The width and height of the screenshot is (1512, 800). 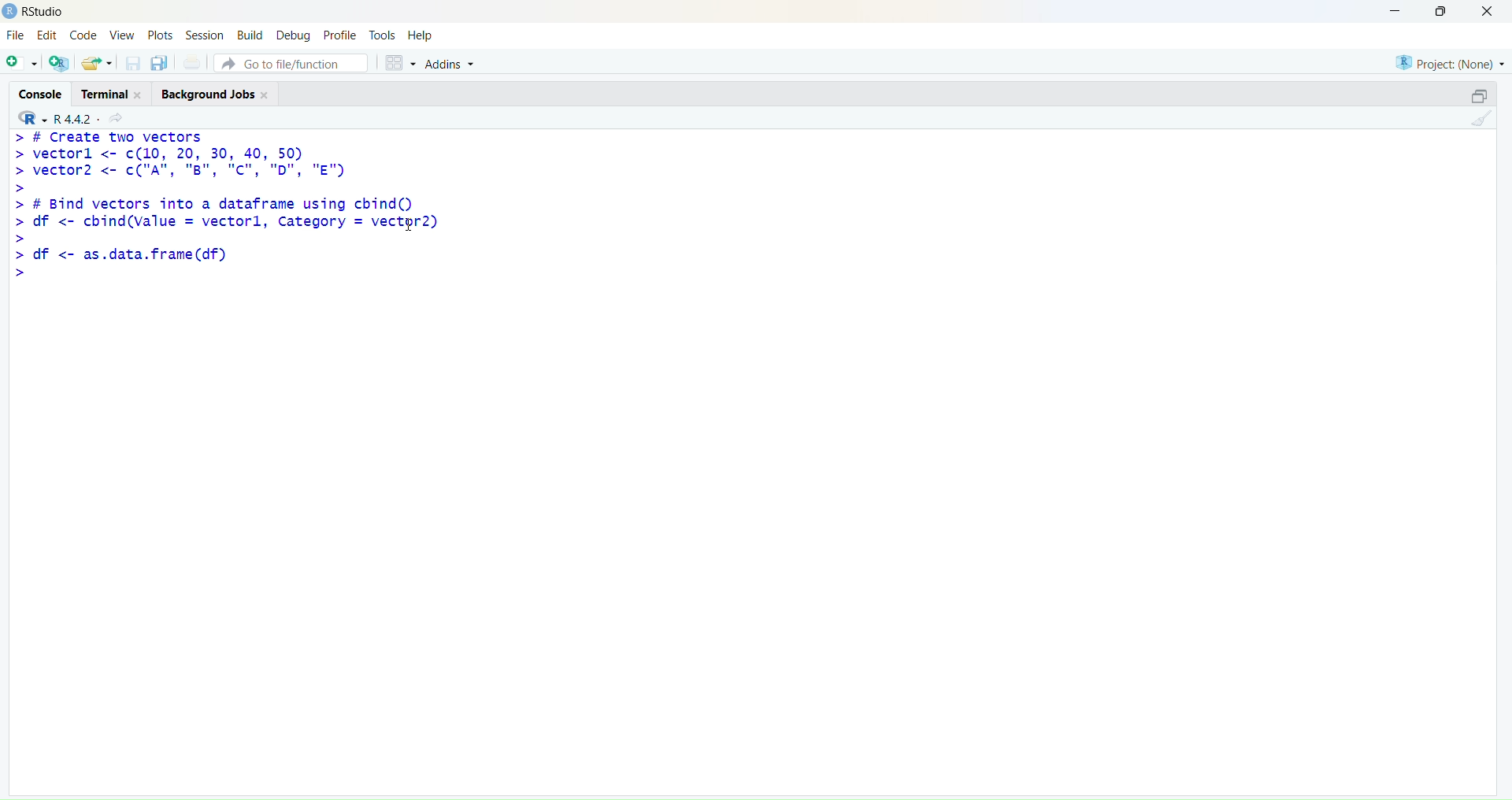 What do you see at coordinates (161, 64) in the screenshot?
I see `save all open document` at bounding box center [161, 64].